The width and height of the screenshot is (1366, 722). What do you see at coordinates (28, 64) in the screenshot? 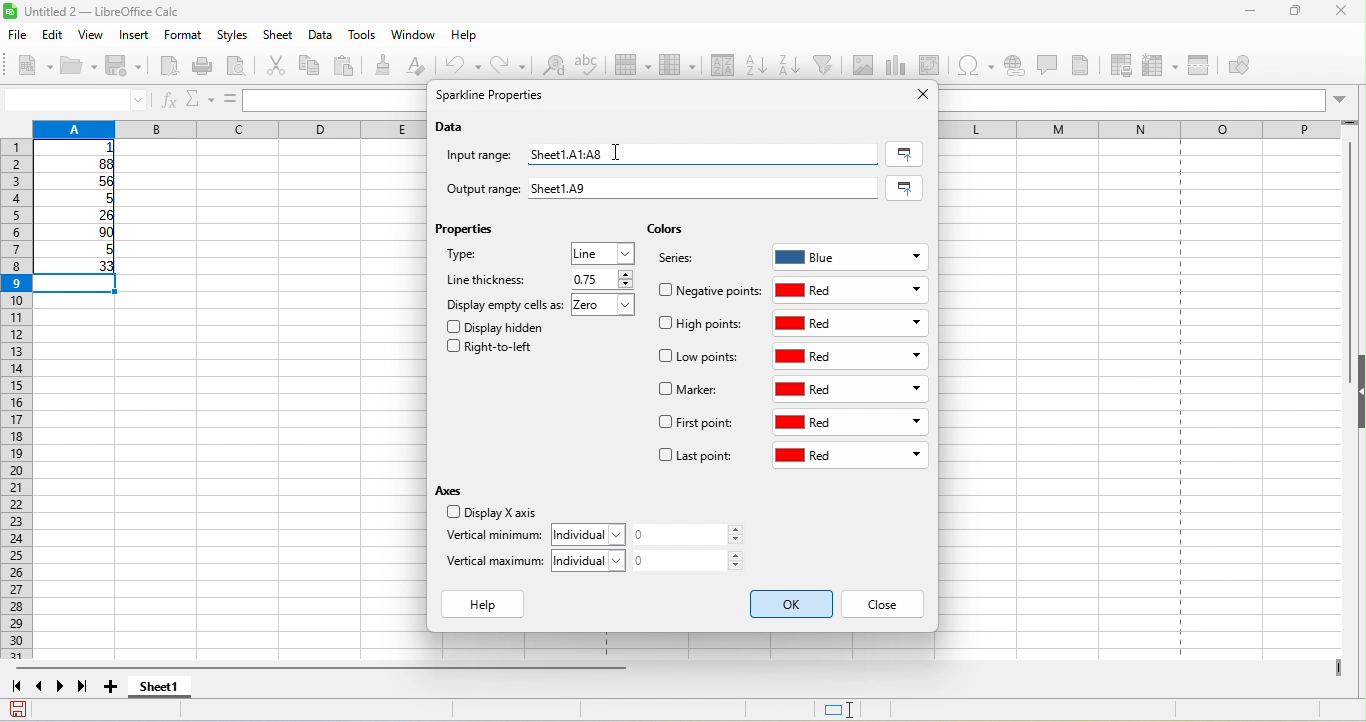
I see `new` at bounding box center [28, 64].